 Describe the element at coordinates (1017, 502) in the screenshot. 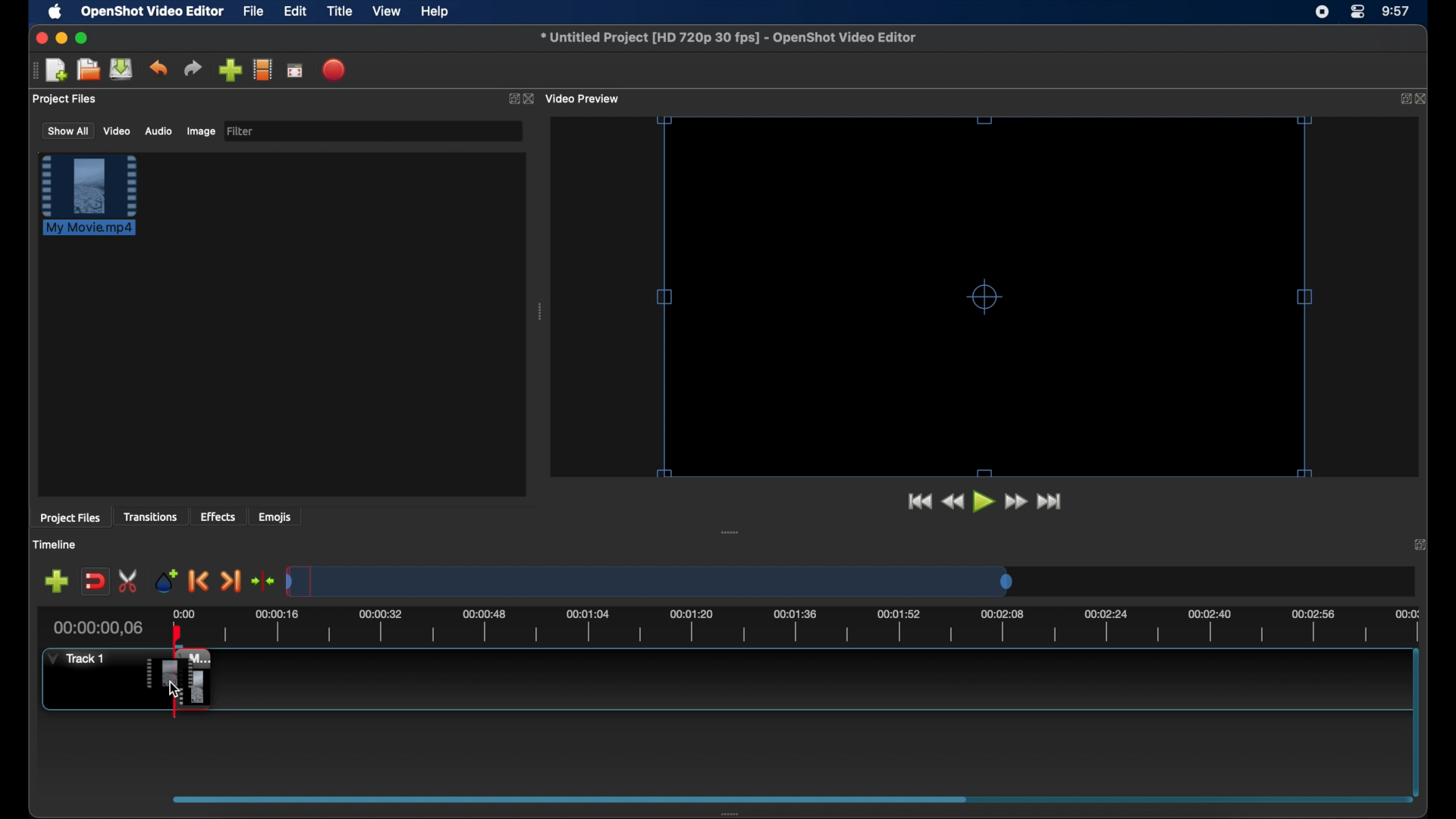

I see `fast forward` at that location.